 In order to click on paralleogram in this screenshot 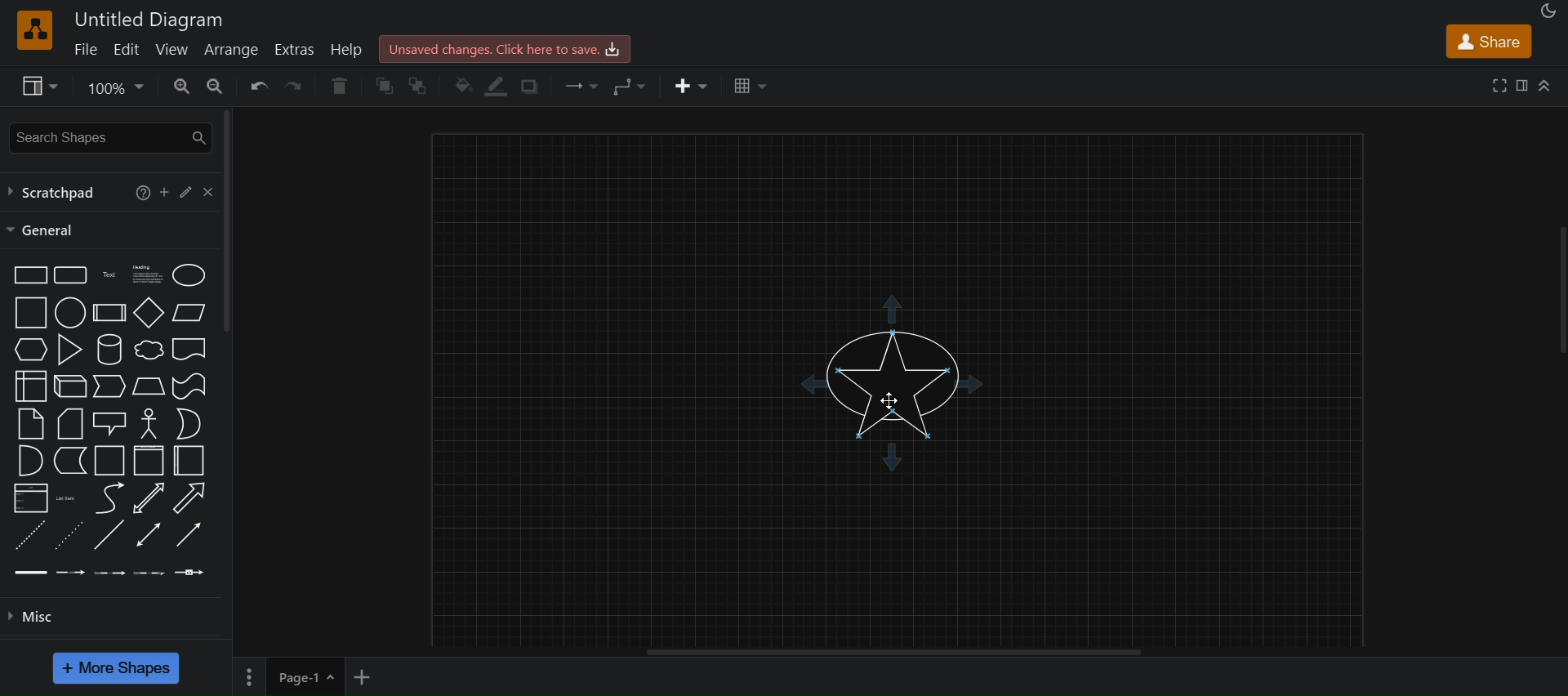, I will do `click(189, 311)`.